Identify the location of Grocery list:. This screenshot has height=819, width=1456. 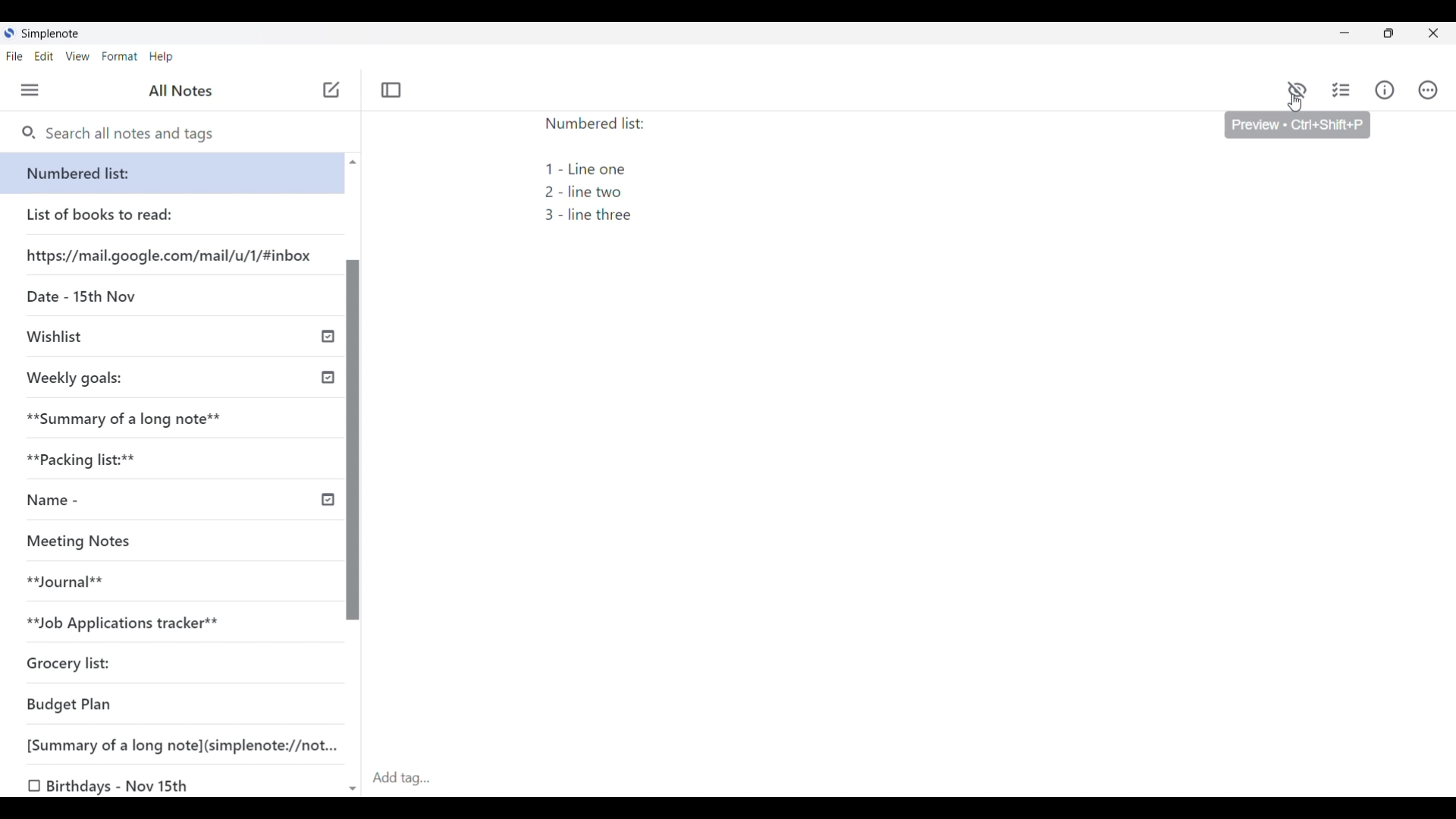
(87, 667).